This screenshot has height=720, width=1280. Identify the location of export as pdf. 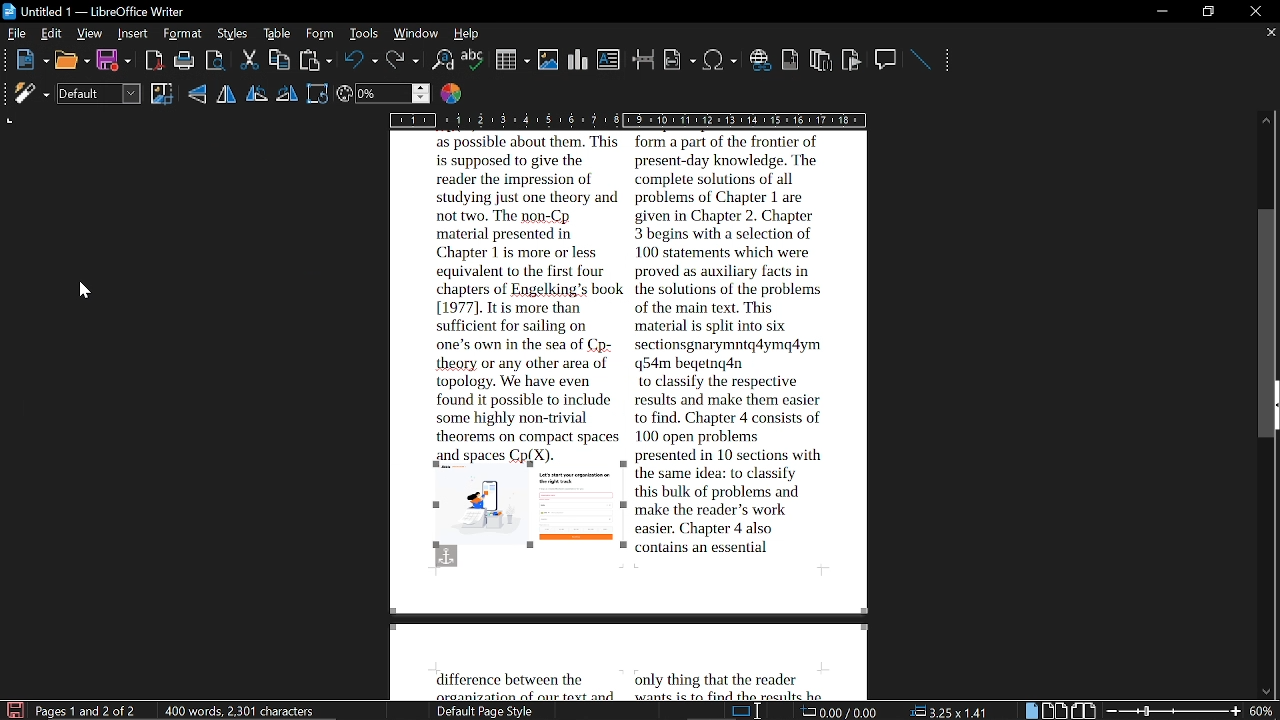
(154, 60).